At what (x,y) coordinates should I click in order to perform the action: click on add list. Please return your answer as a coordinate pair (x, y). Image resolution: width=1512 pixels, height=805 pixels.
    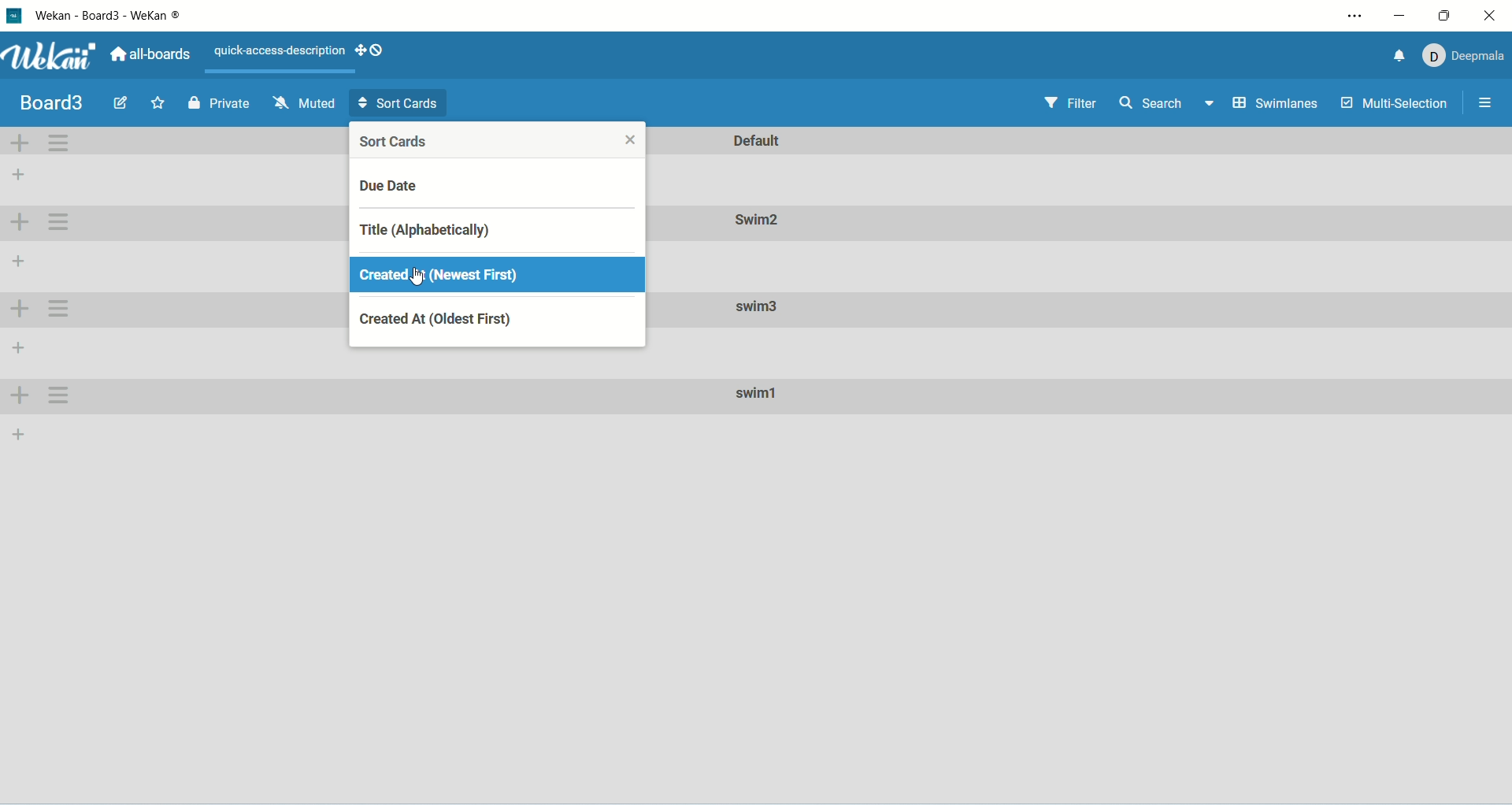
    Looking at the image, I should click on (18, 265).